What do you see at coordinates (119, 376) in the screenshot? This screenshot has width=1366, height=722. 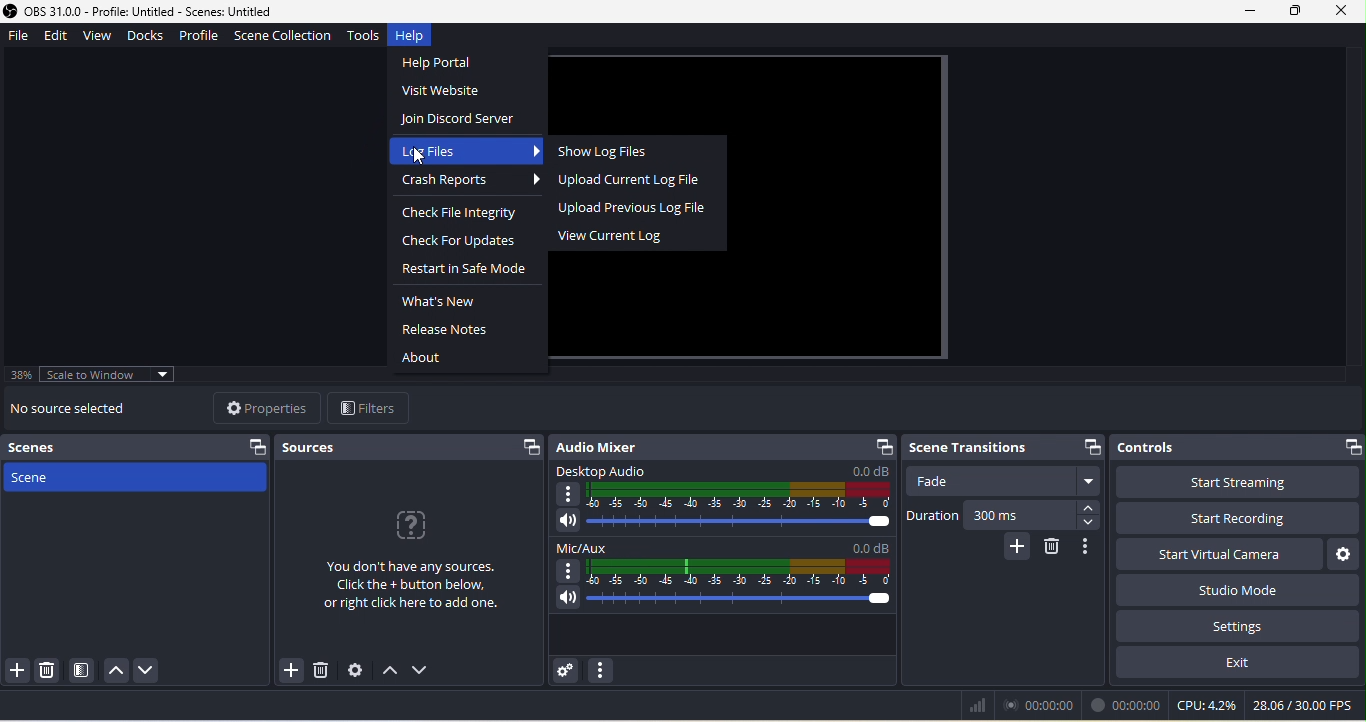 I see `scale to window` at bounding box center [119, 376].